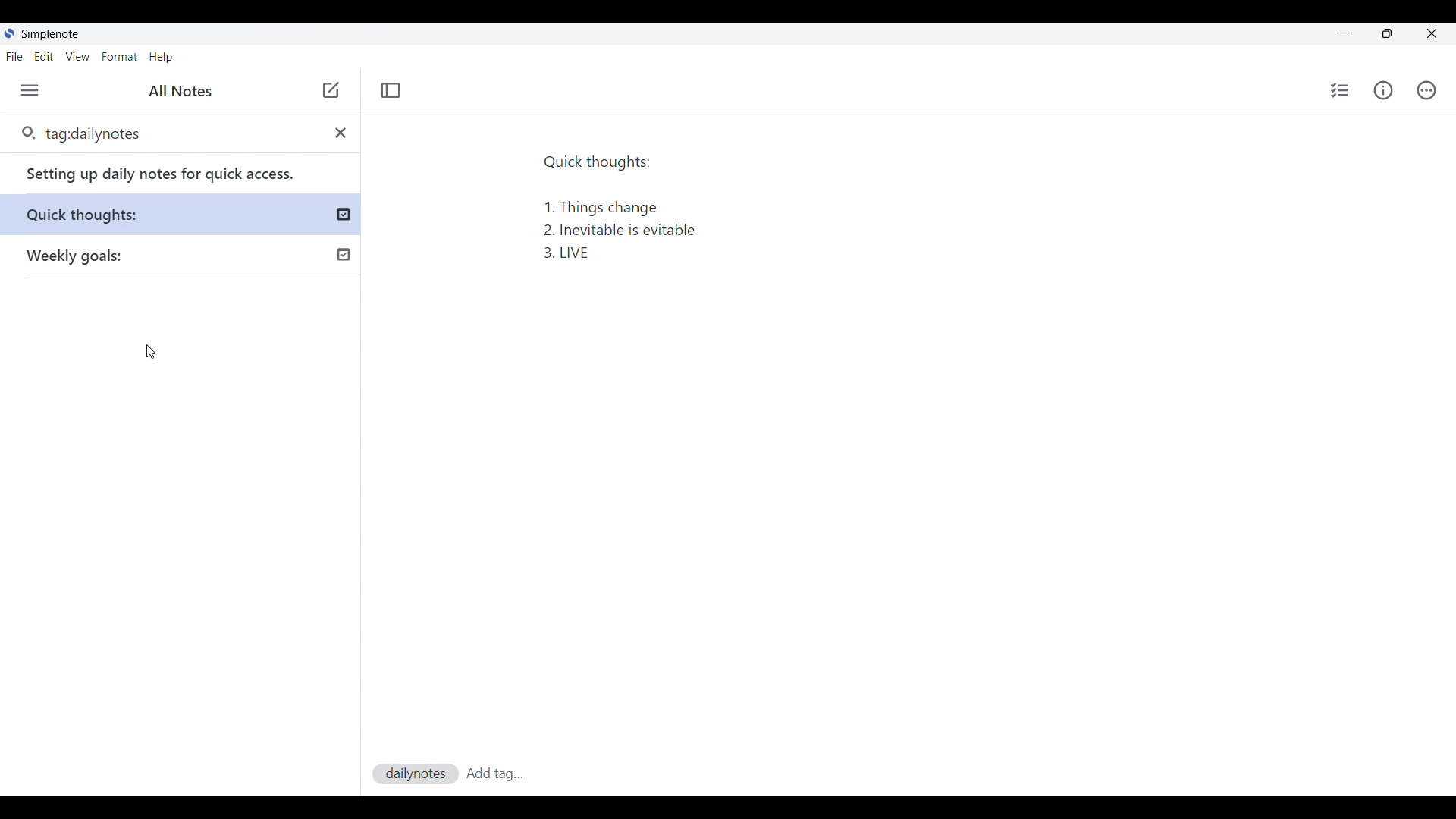 The height and width of the screenshot is (819, 1456). Describe the element at coordinates (180, 91) in the screenshot. I see `All notes` at that location.